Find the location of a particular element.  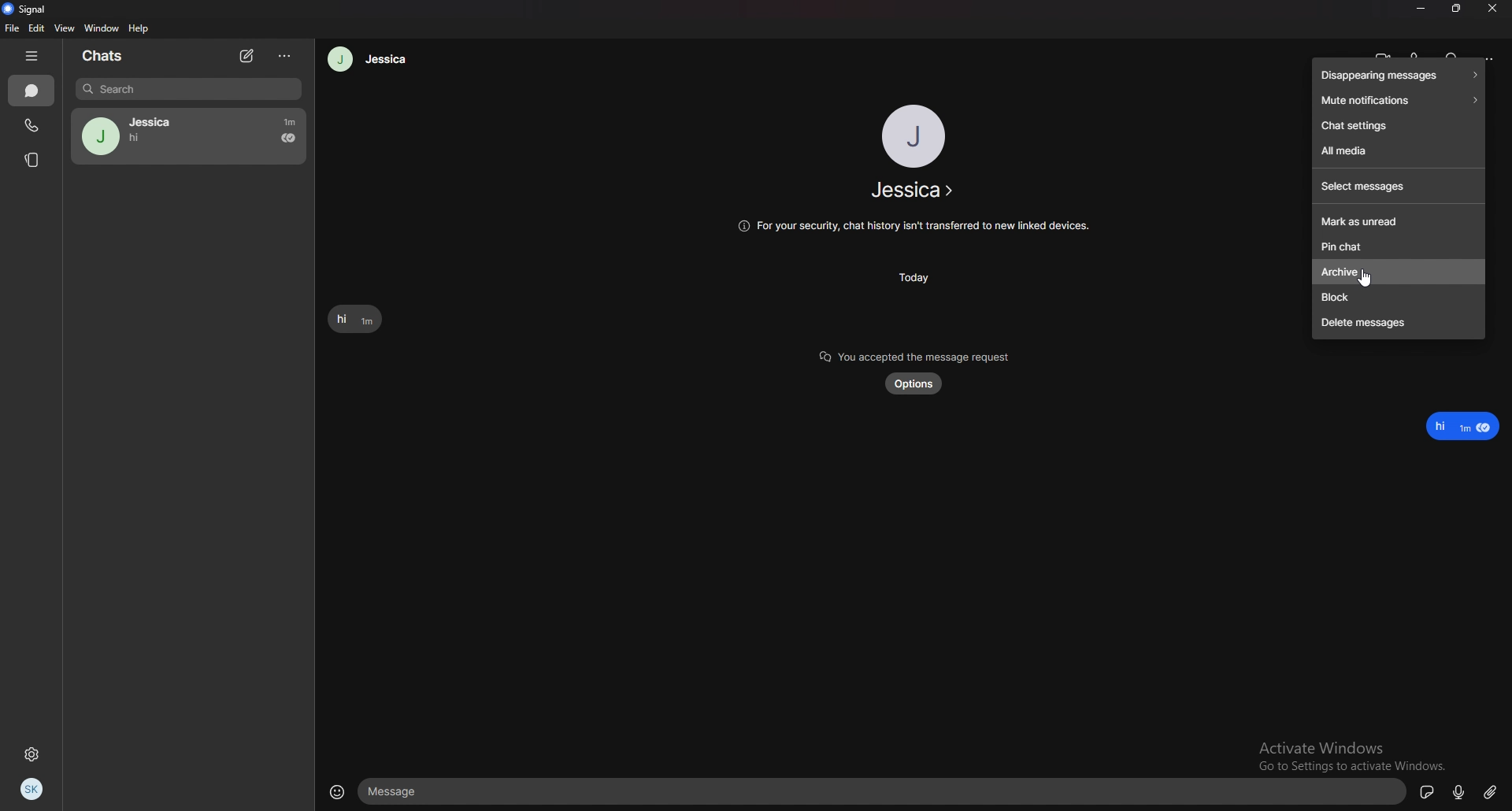

@ You accepted the message request is located at coordinates (908, 354).